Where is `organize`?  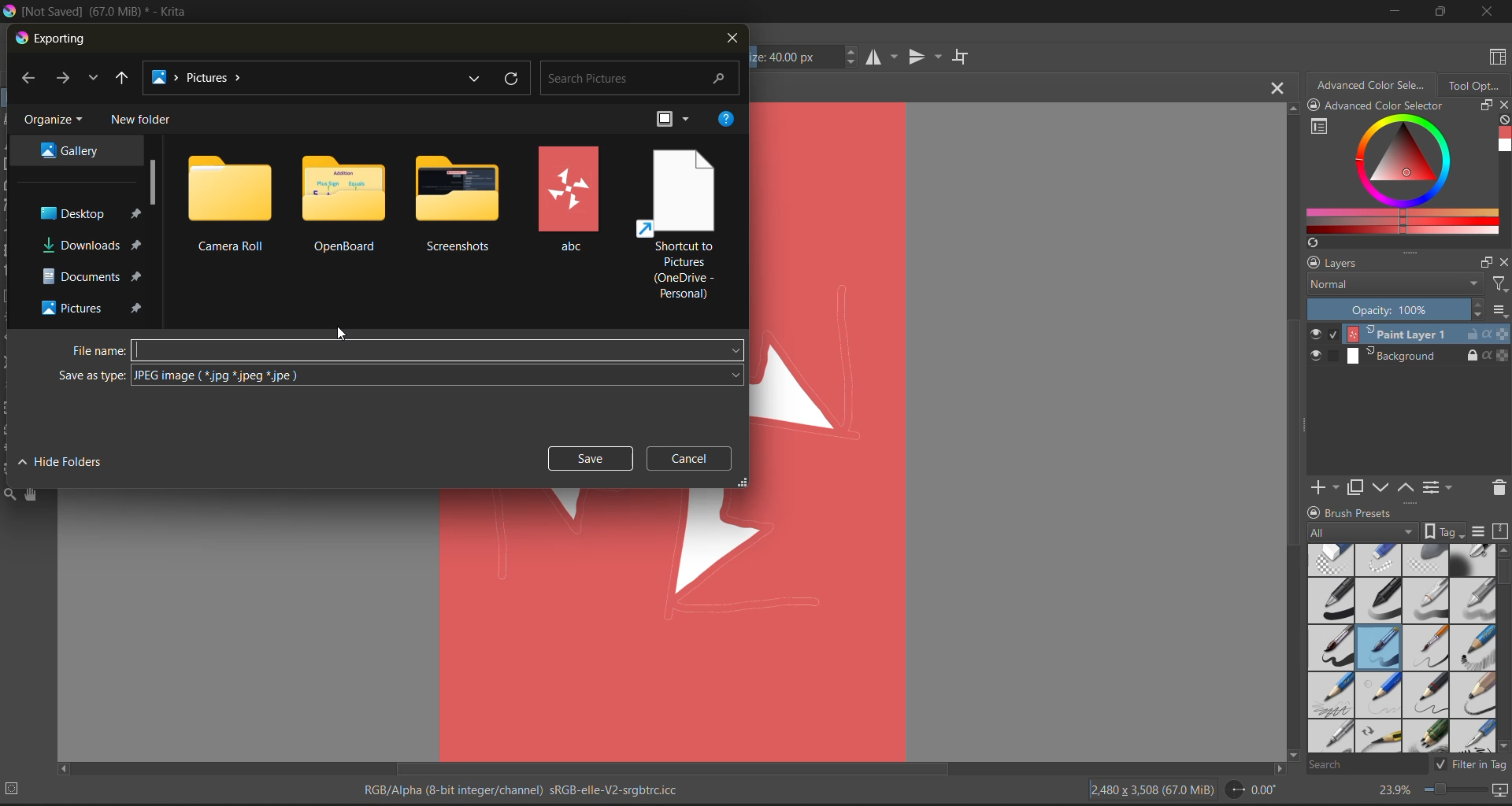
organize is located at coordinates (54, 122).